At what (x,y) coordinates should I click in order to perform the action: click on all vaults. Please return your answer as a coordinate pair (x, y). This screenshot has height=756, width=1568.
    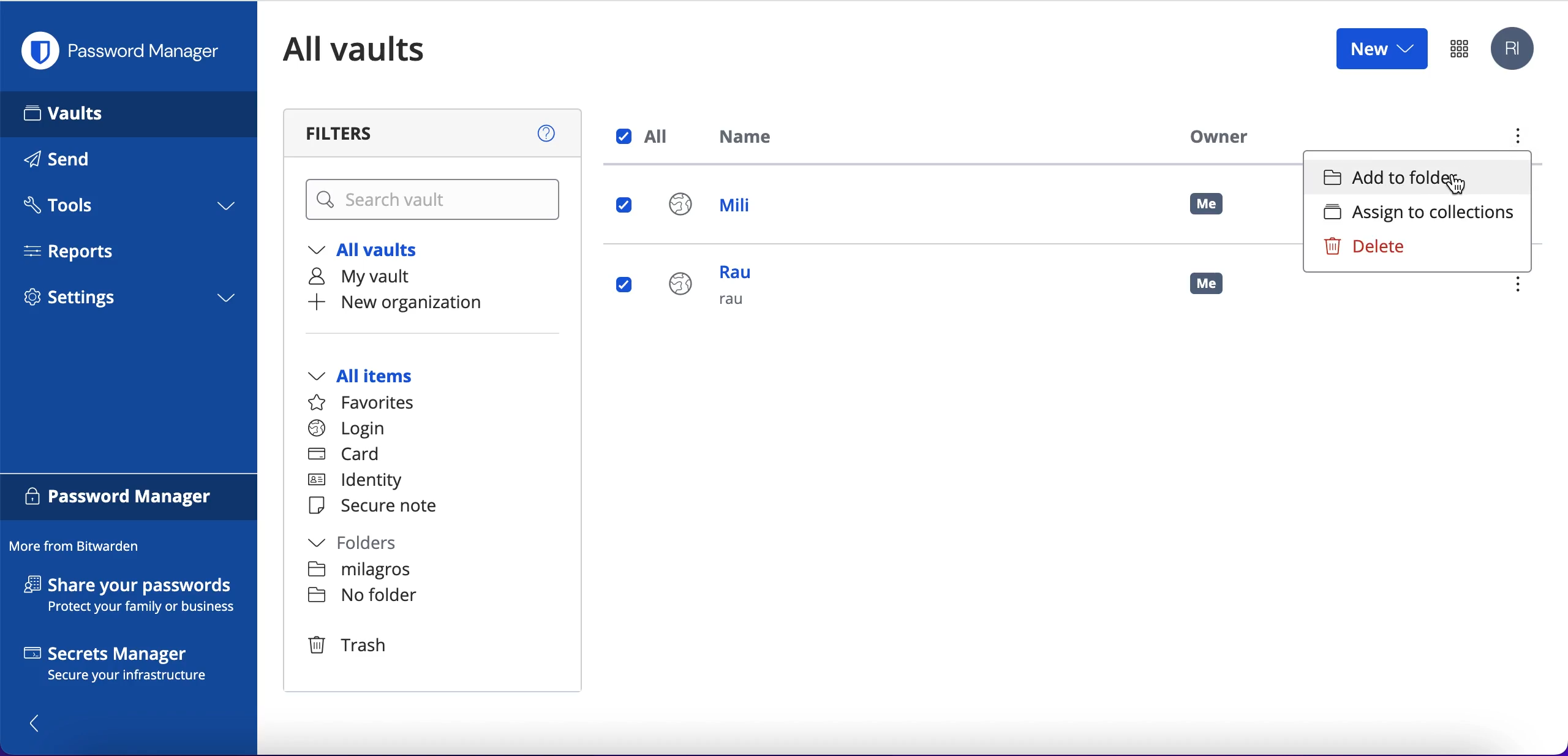
    Looking at the image, I should click on (372, 252).